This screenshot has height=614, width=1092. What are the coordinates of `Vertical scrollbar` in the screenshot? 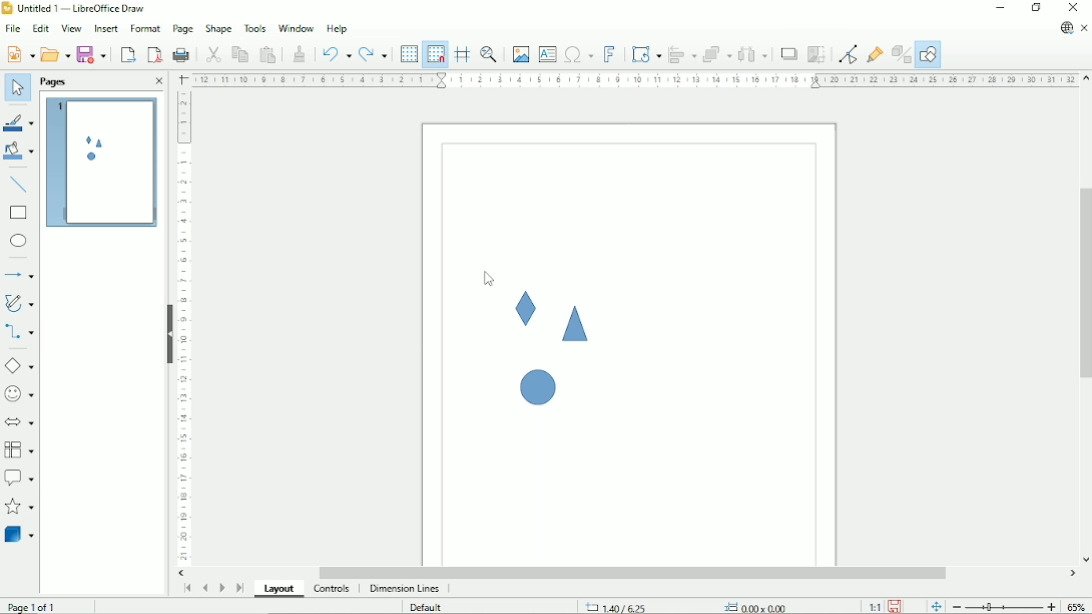 It's located at (1083, 282).